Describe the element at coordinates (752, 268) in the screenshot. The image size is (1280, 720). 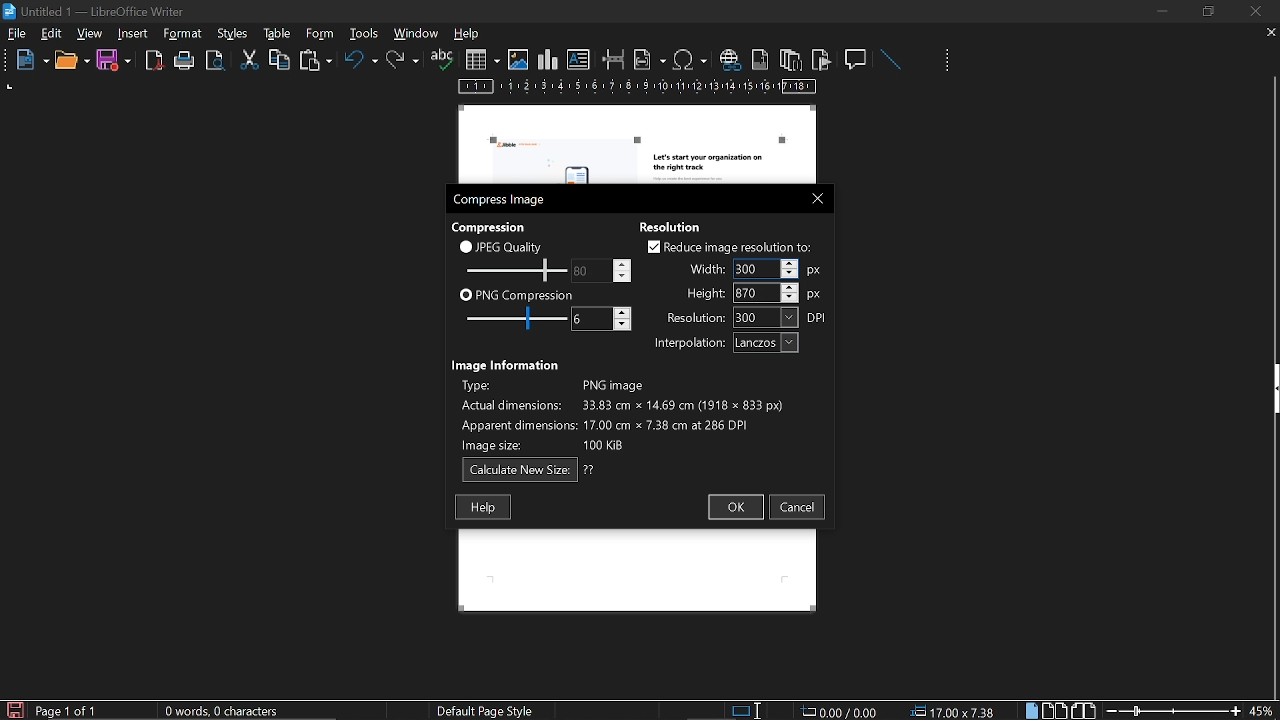
I see `width change` at that location.